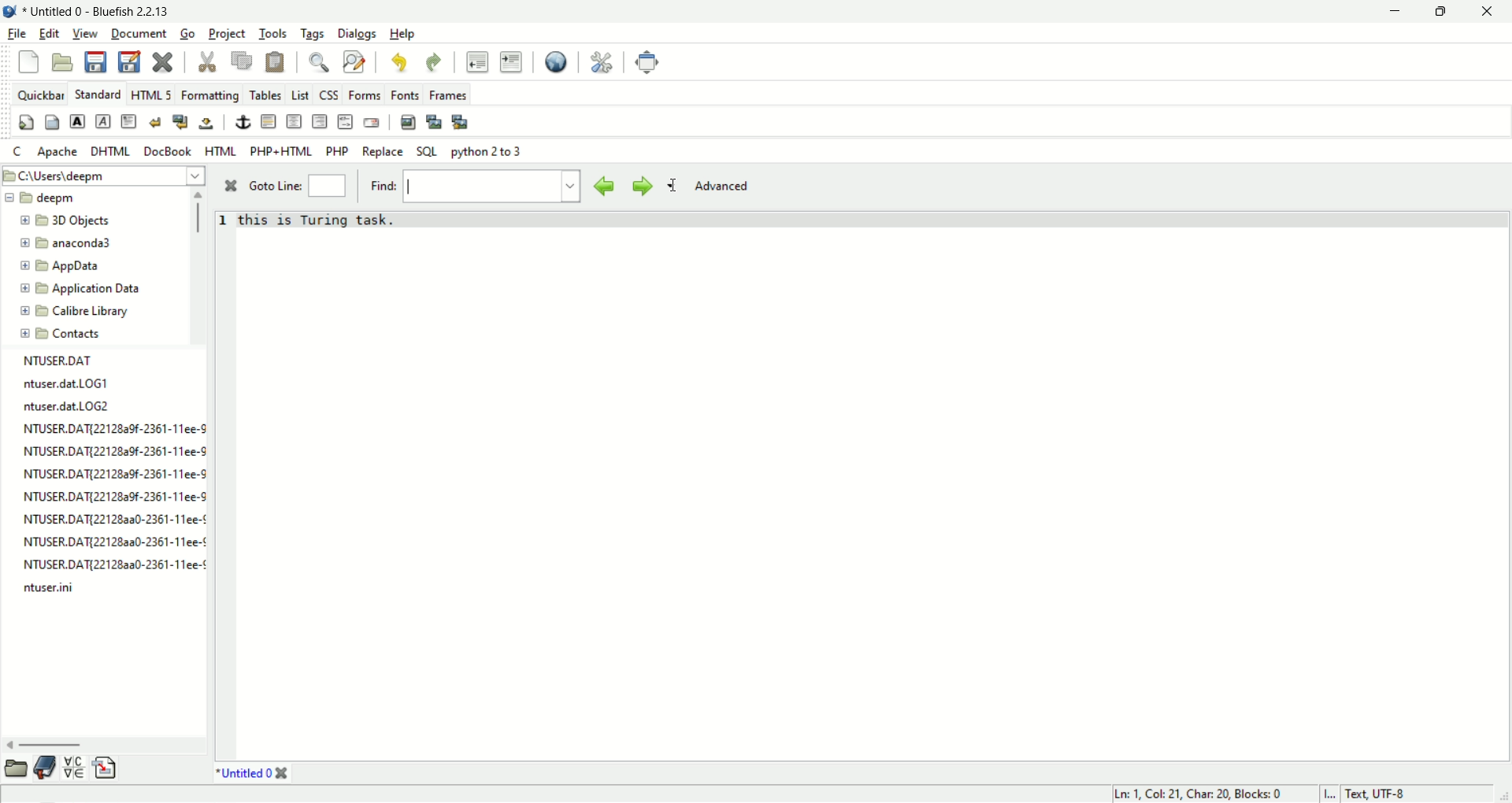 The width and height of the screenshot is (1512, 803). Describe the element at coordinates (448, 94) in the screenshot. I see `Frames` at that location.